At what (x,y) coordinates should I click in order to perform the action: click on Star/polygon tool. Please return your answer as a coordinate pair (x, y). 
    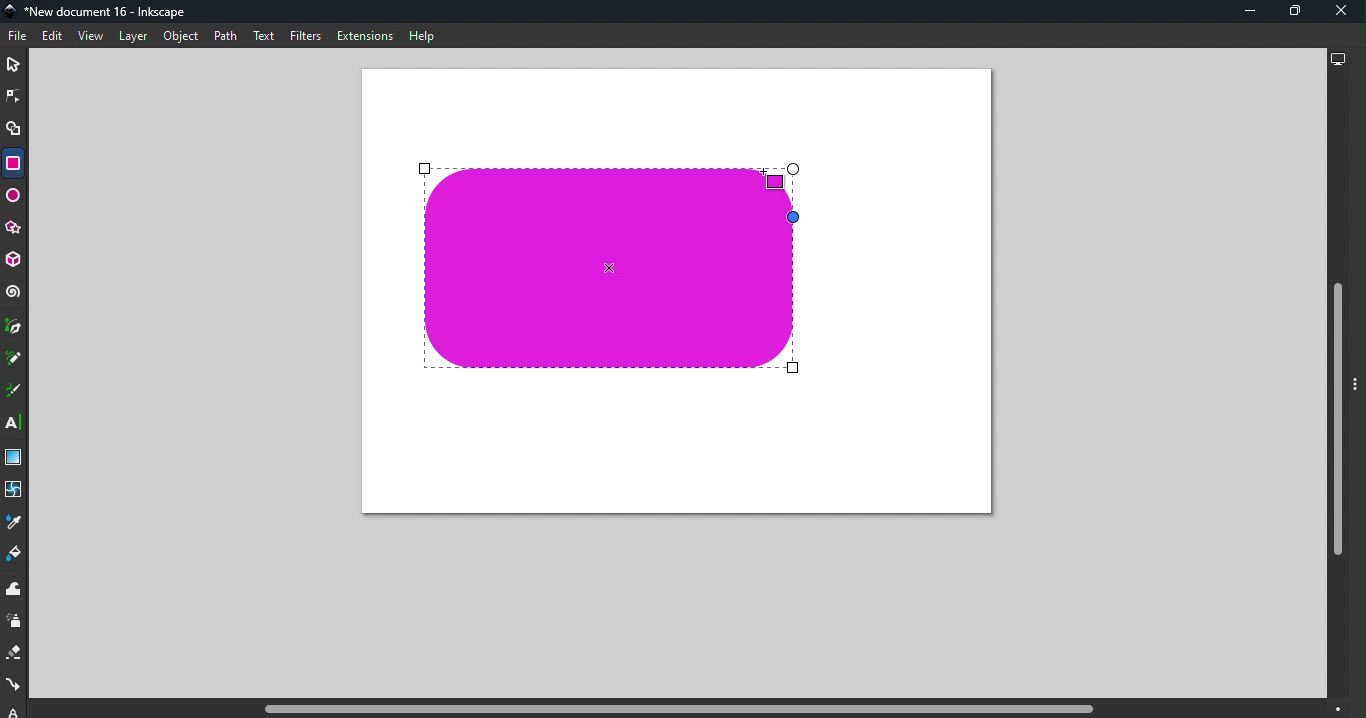
    Looking at the image, I should click on (15, 229).